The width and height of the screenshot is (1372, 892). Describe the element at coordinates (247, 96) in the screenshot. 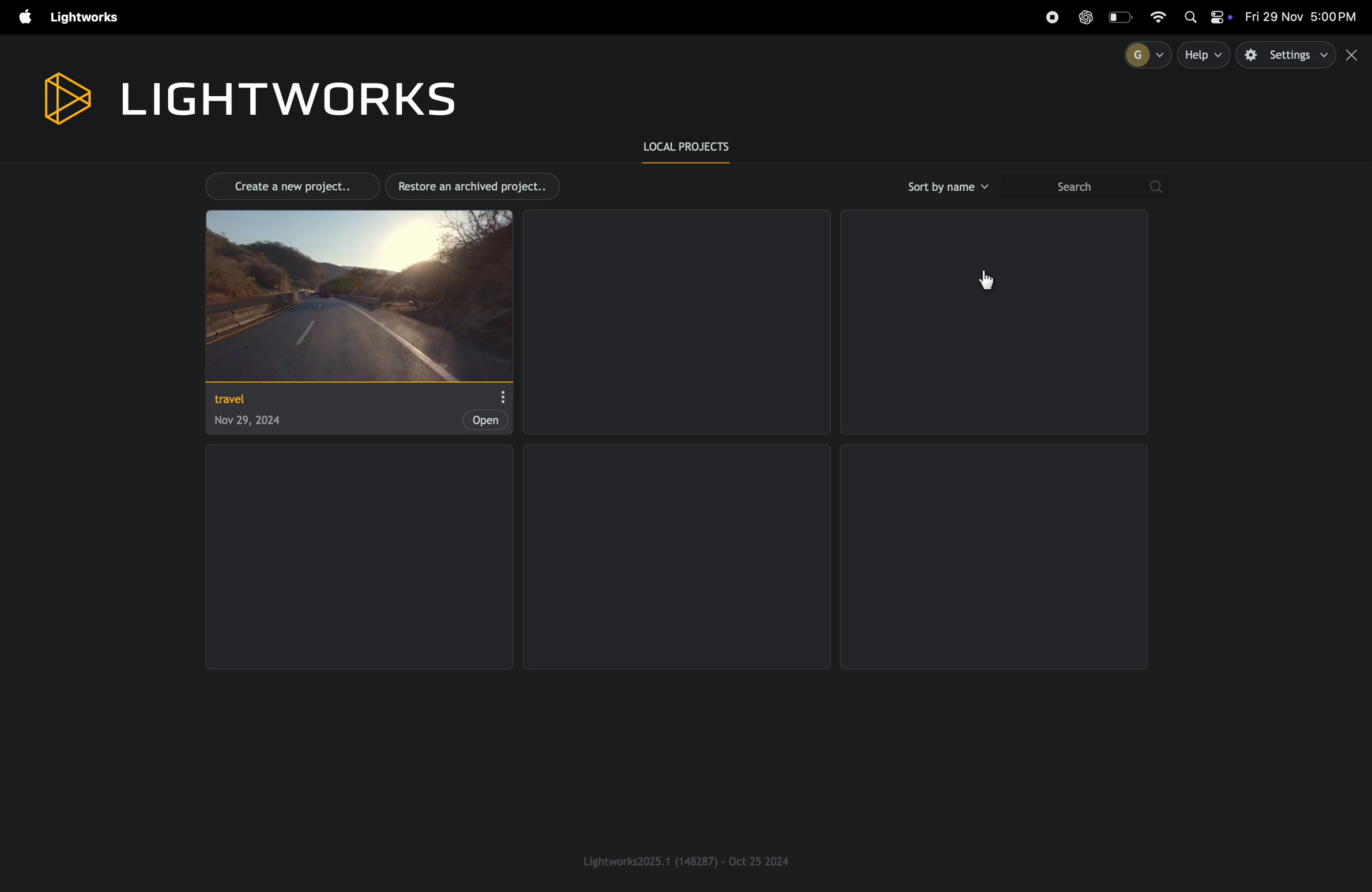

I see `light works` at that location.